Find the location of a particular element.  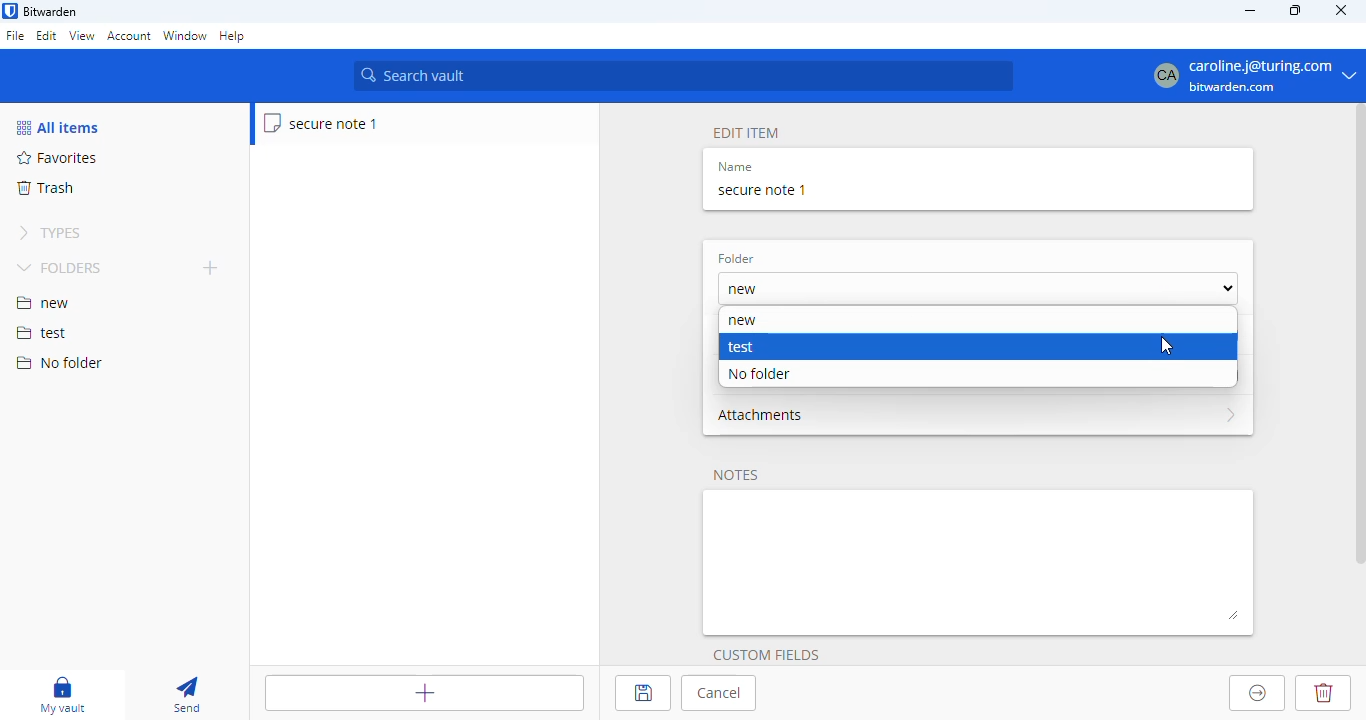

help is located at coordinates (233, 37).